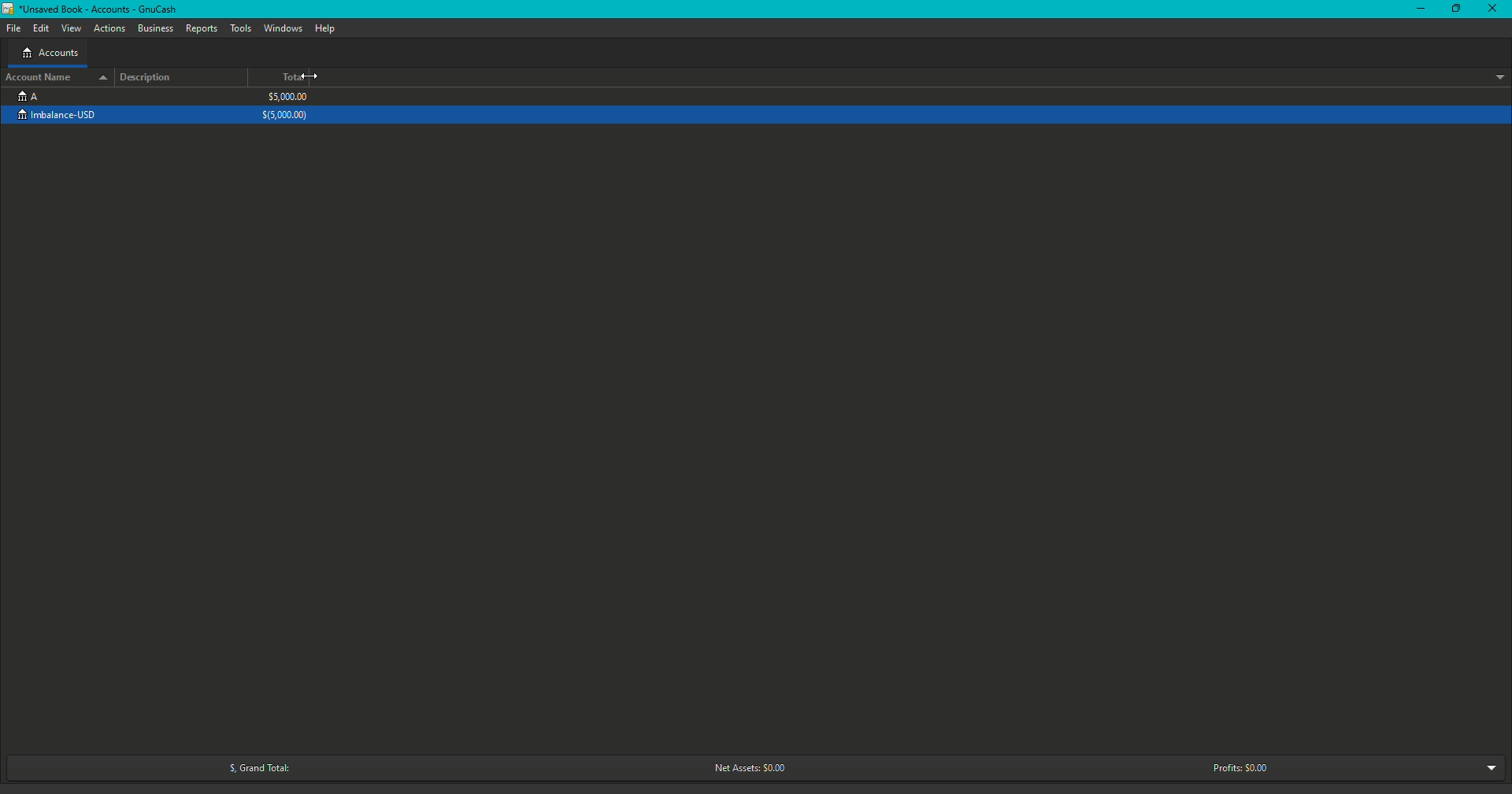  Describe the element at coordinates (55, 76) in the screenshot. I see `Account Name` at that location.